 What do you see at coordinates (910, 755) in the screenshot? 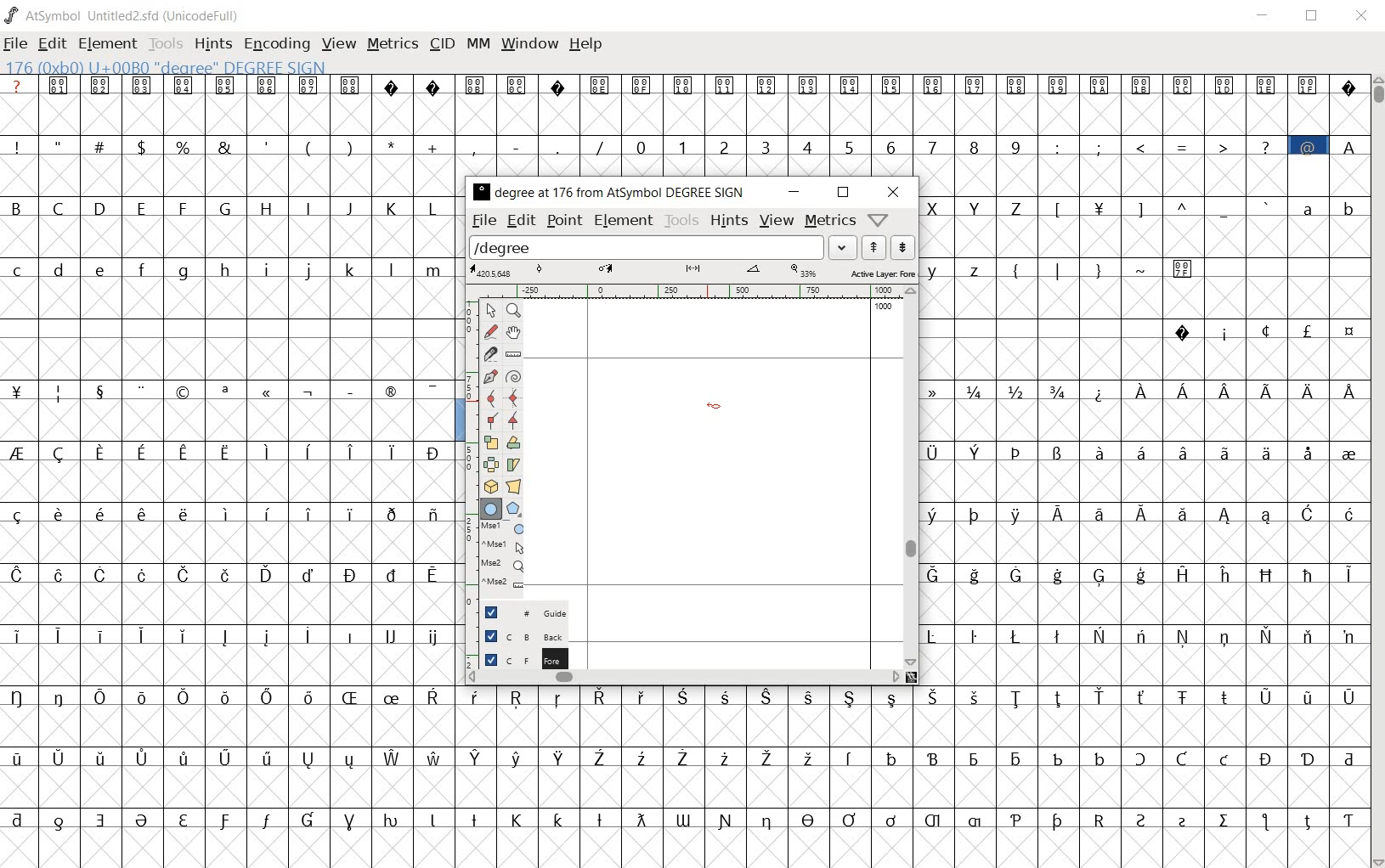
I see `special letters` at bounding box center [910, 755].